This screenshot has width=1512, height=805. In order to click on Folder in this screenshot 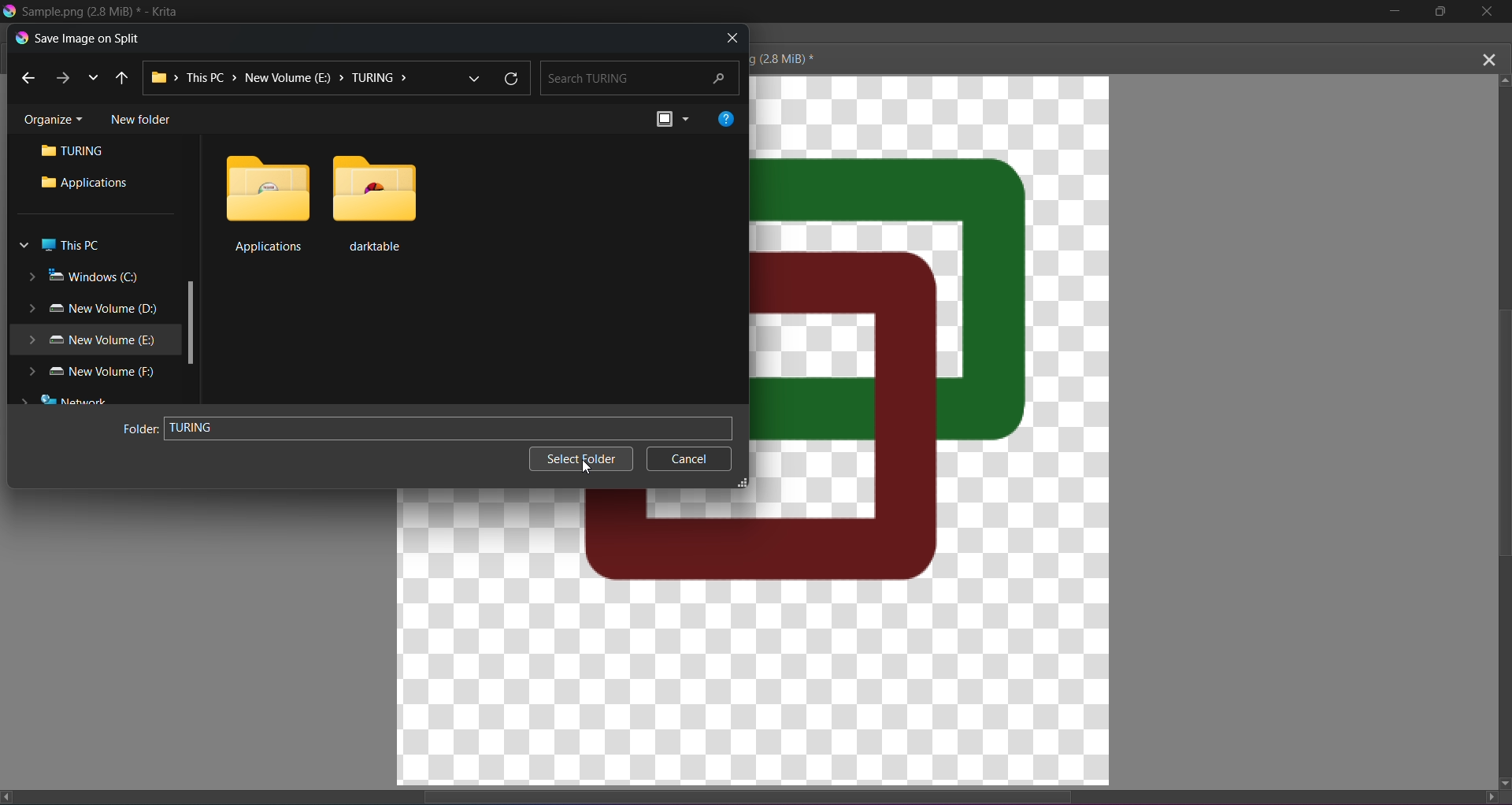, I will do `click(134, 429)`.